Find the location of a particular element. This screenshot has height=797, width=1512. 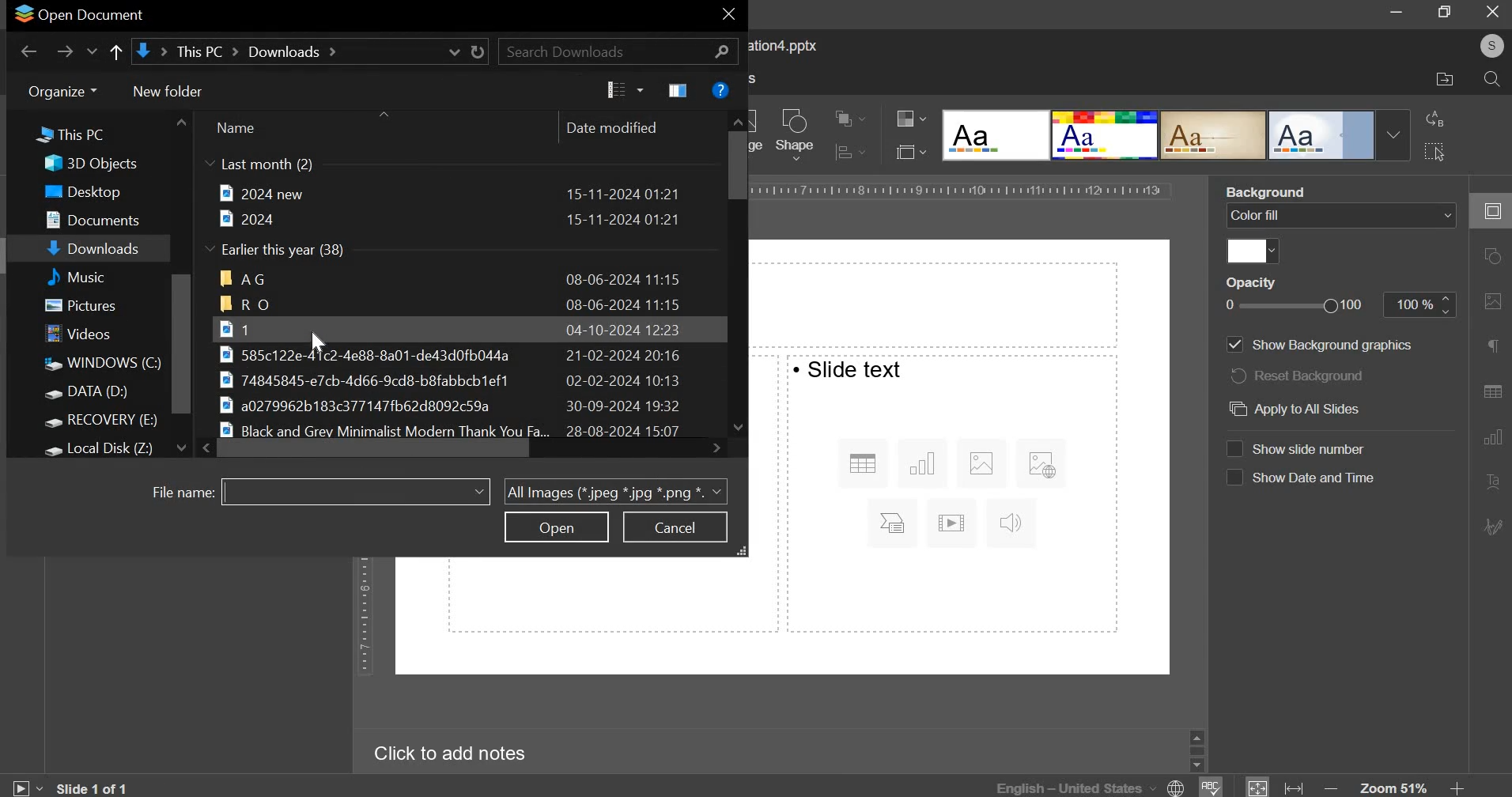

background is located at coordinates (1268, 191).